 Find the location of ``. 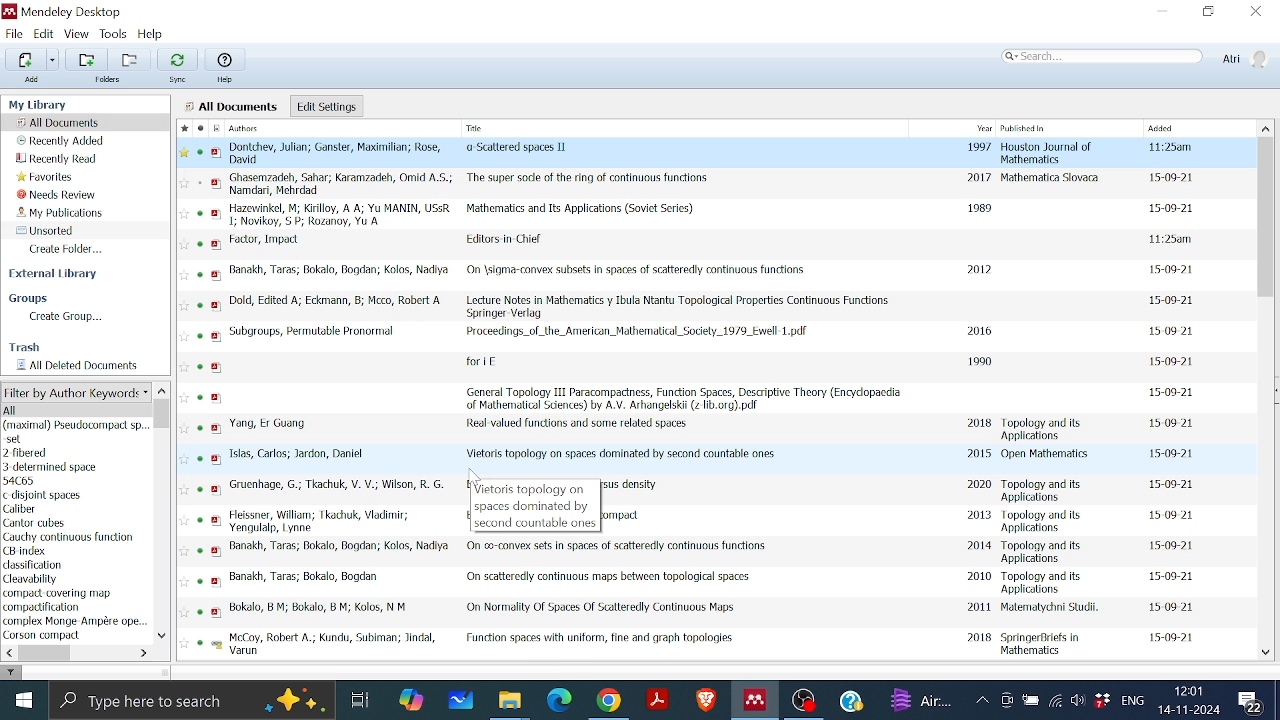

 is located at coordinates (1265, 126).